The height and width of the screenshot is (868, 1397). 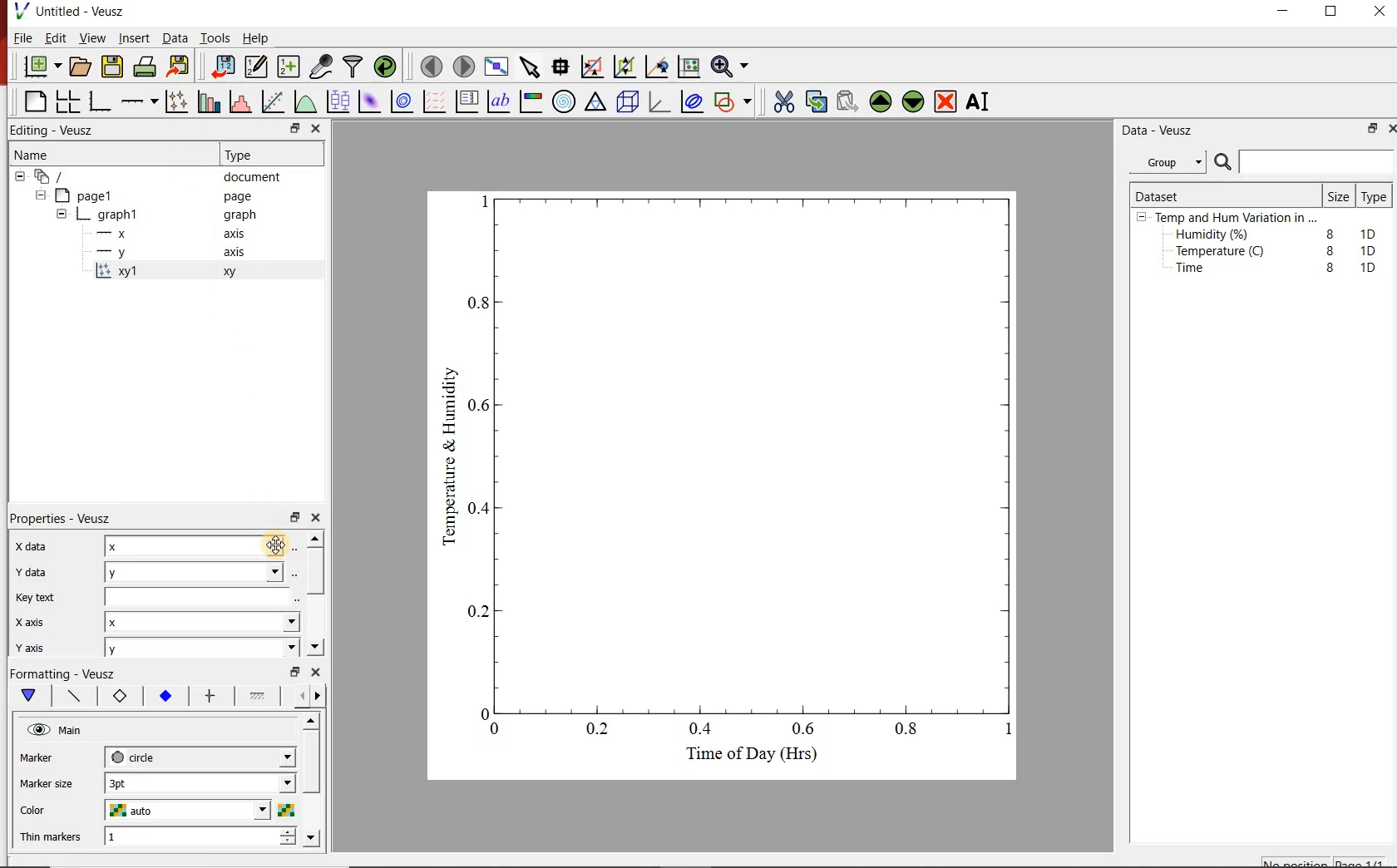 What do you see at coordinates (1003, 732) in the screenshot?
I see `1` at bounding box center [1003, 732].